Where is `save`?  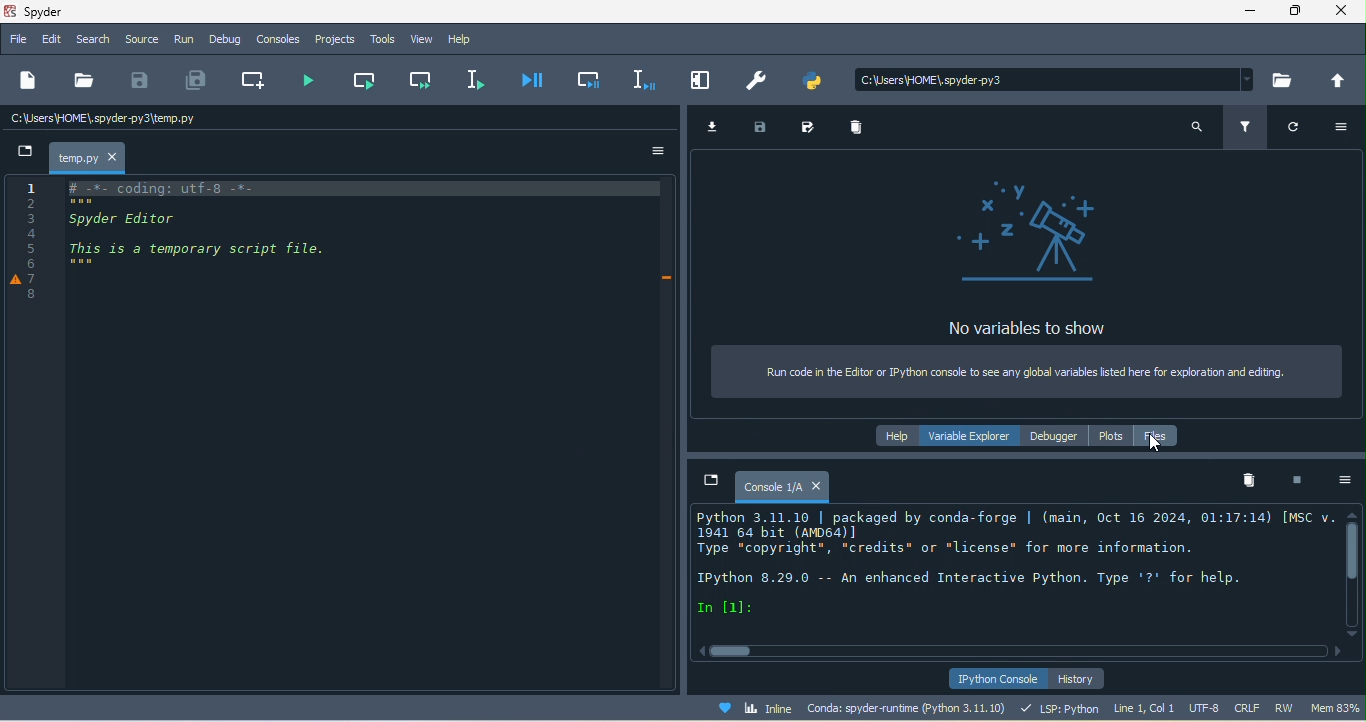 save is located at coordinates (756, 130).